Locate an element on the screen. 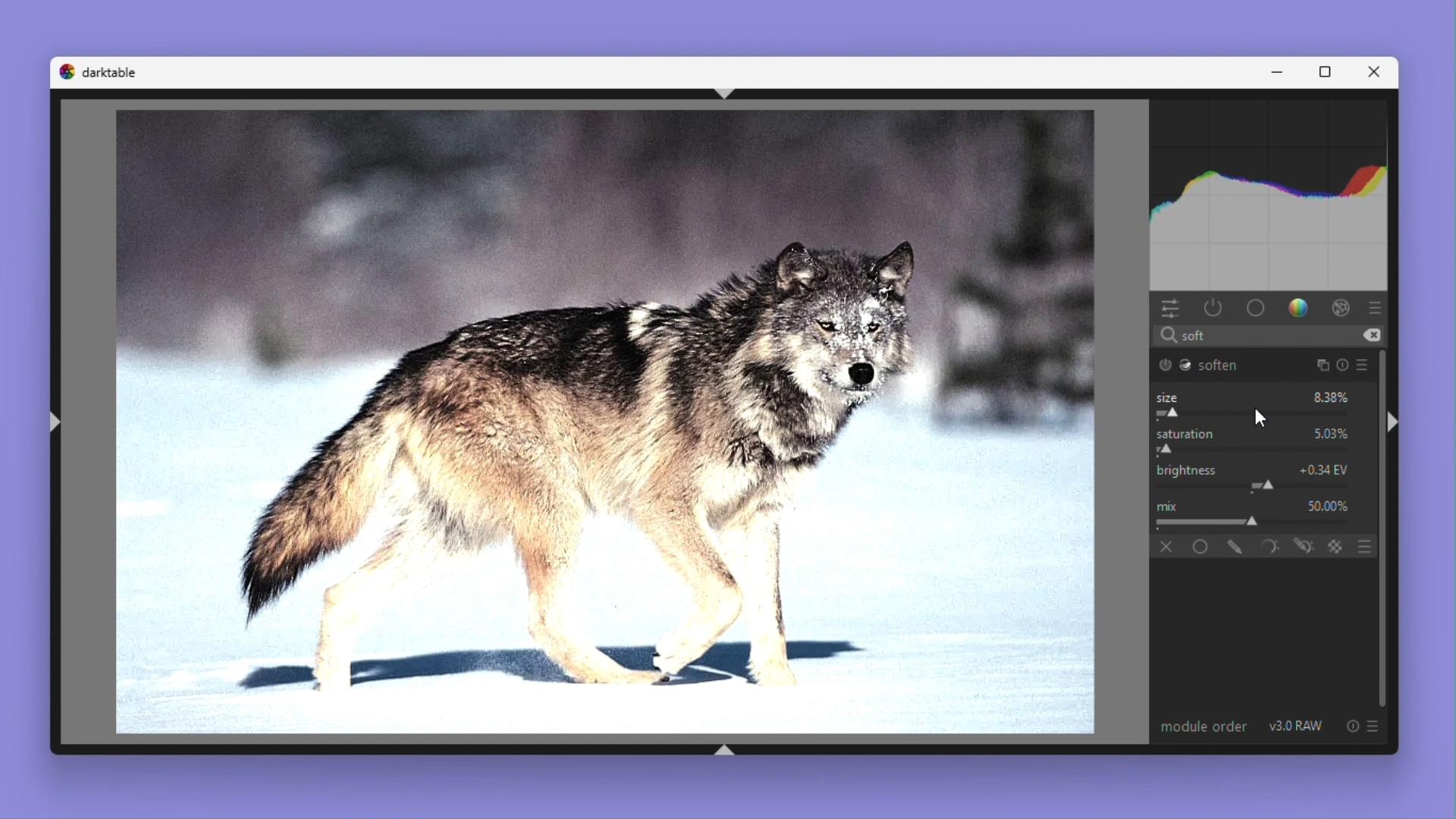 Image resolution: width=1456 pixels, height=819 pixels. reset option is located at coordinates (1348, 726).